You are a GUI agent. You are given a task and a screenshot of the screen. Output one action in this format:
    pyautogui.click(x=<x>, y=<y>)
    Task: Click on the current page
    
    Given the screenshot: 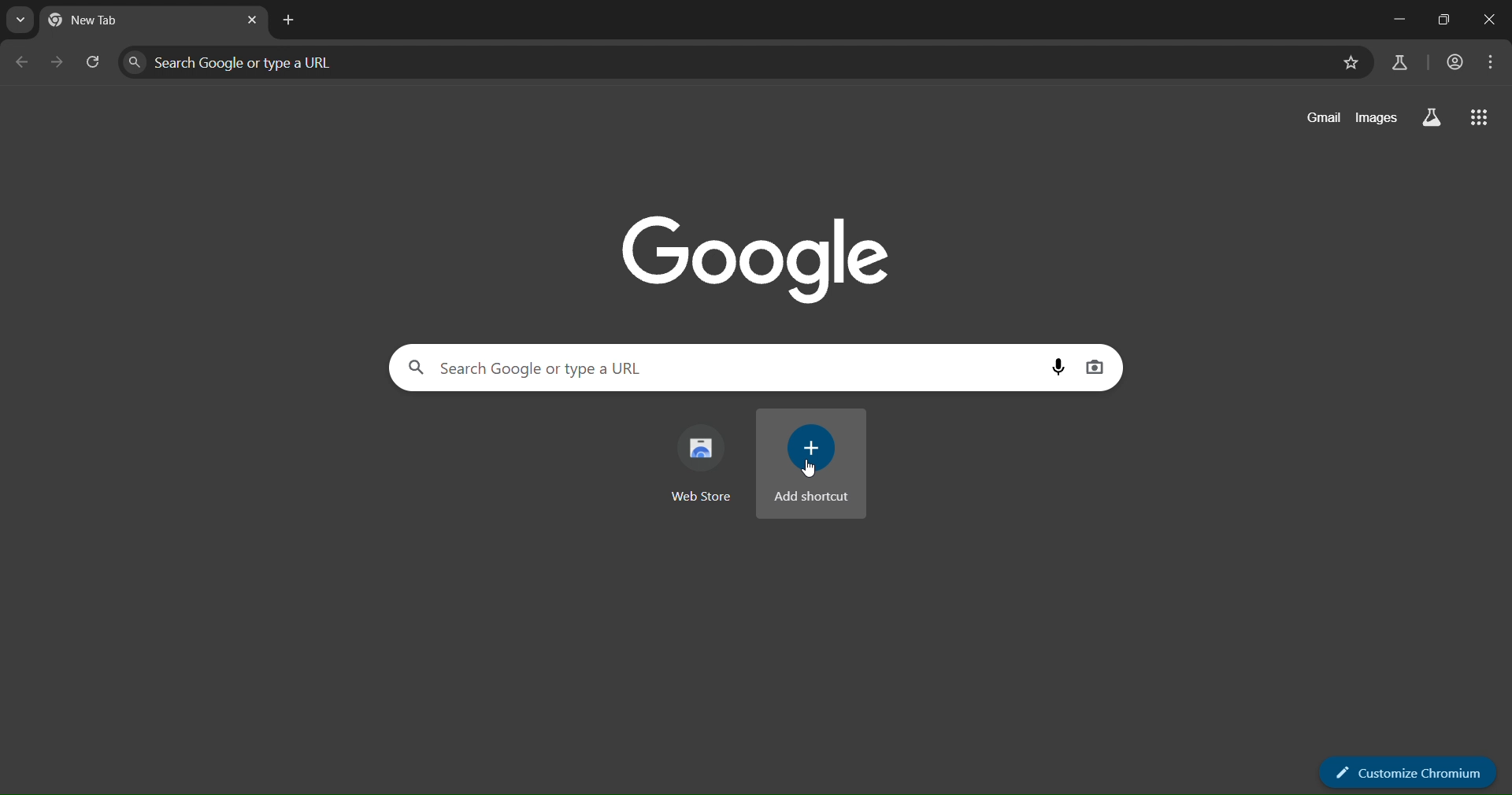 What is the action you would take?
    pyautogui.click(x=110, y=22)
    